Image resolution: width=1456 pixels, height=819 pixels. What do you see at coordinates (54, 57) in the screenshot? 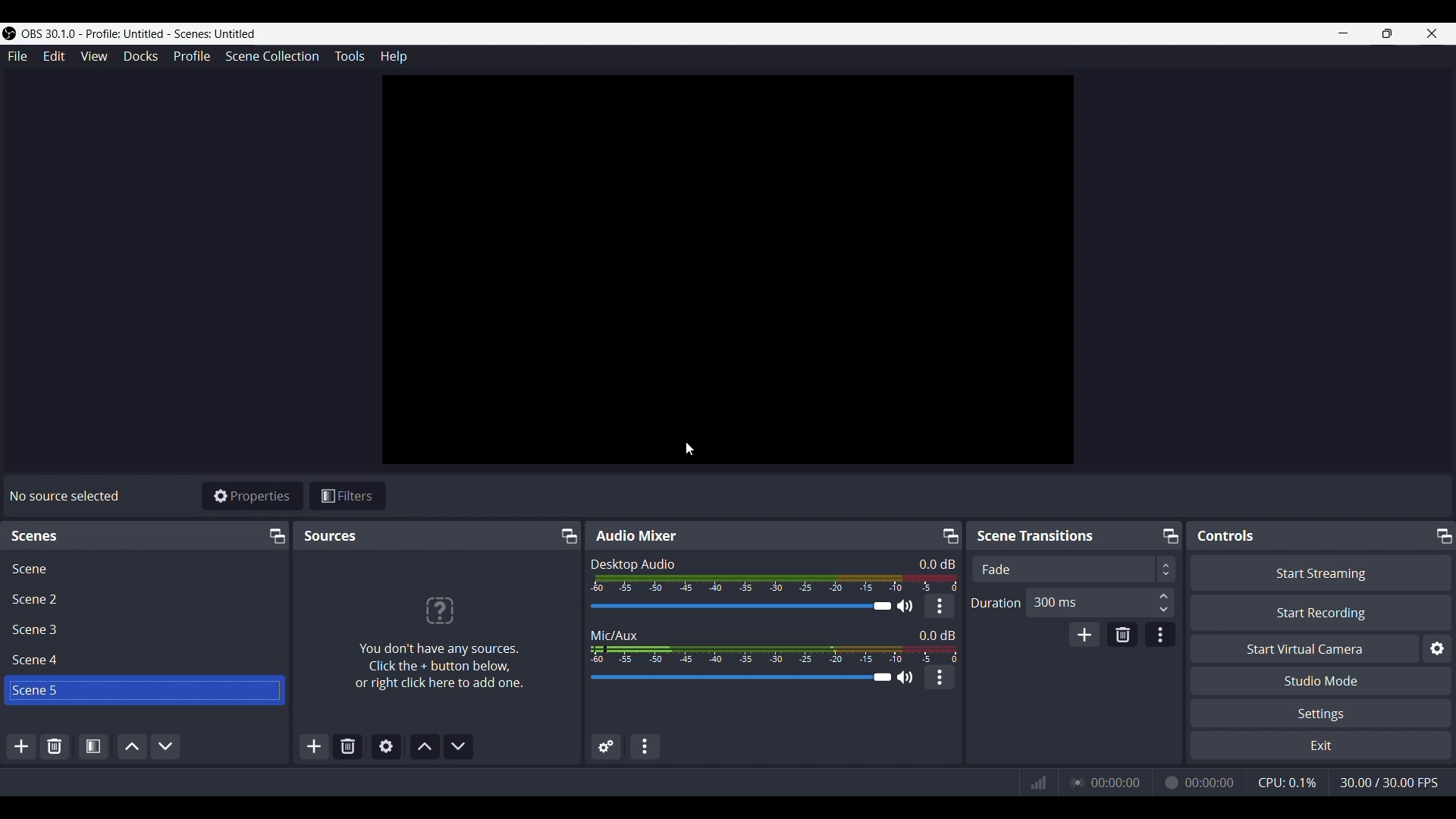
I see `Edit` at bounding box center [54, 57].